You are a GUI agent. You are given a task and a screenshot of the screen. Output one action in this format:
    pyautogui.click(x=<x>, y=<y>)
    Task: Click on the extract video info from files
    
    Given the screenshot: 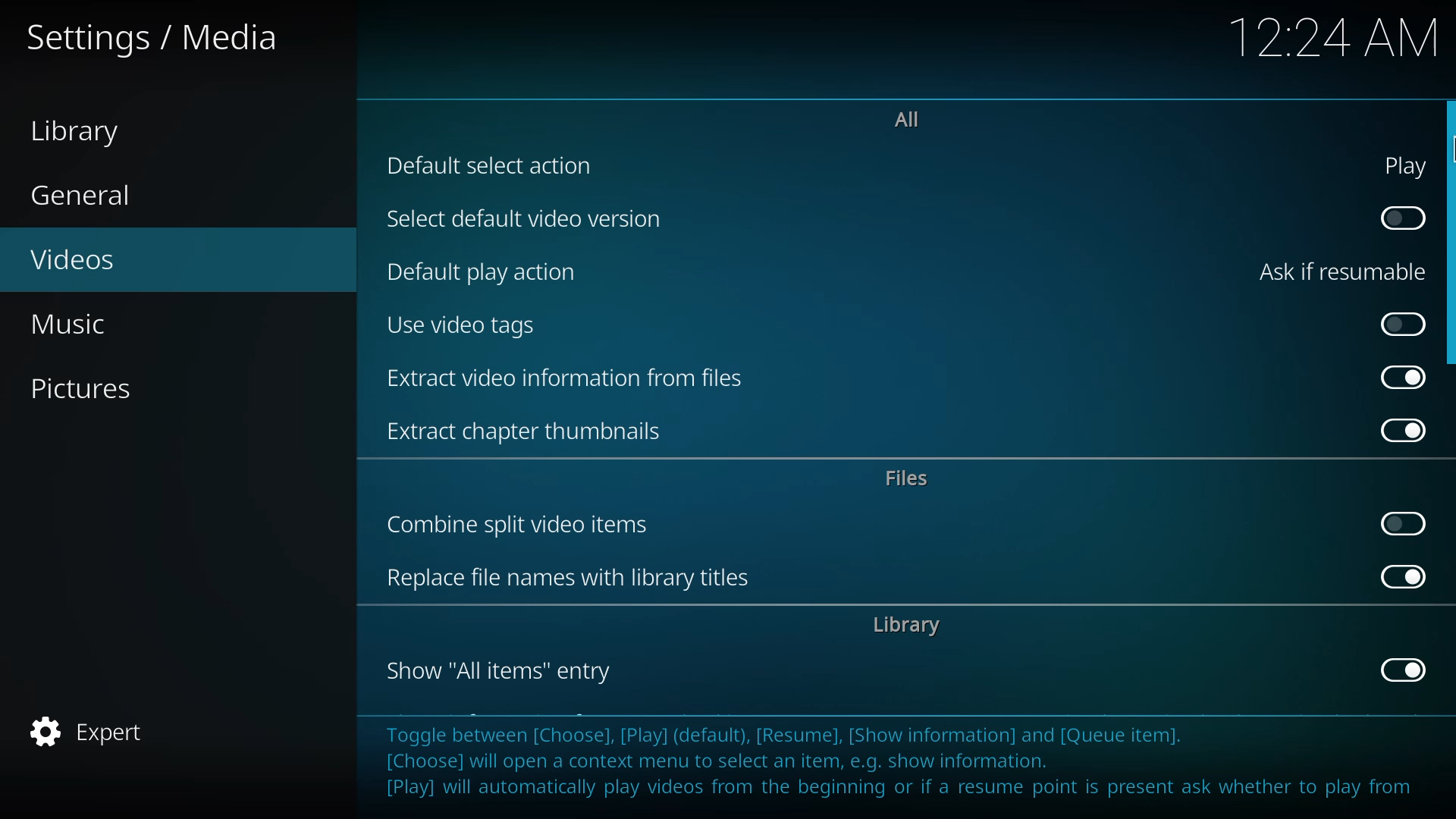 What is the action you would take?
    pyautogui.click(x=570, y=377)
    